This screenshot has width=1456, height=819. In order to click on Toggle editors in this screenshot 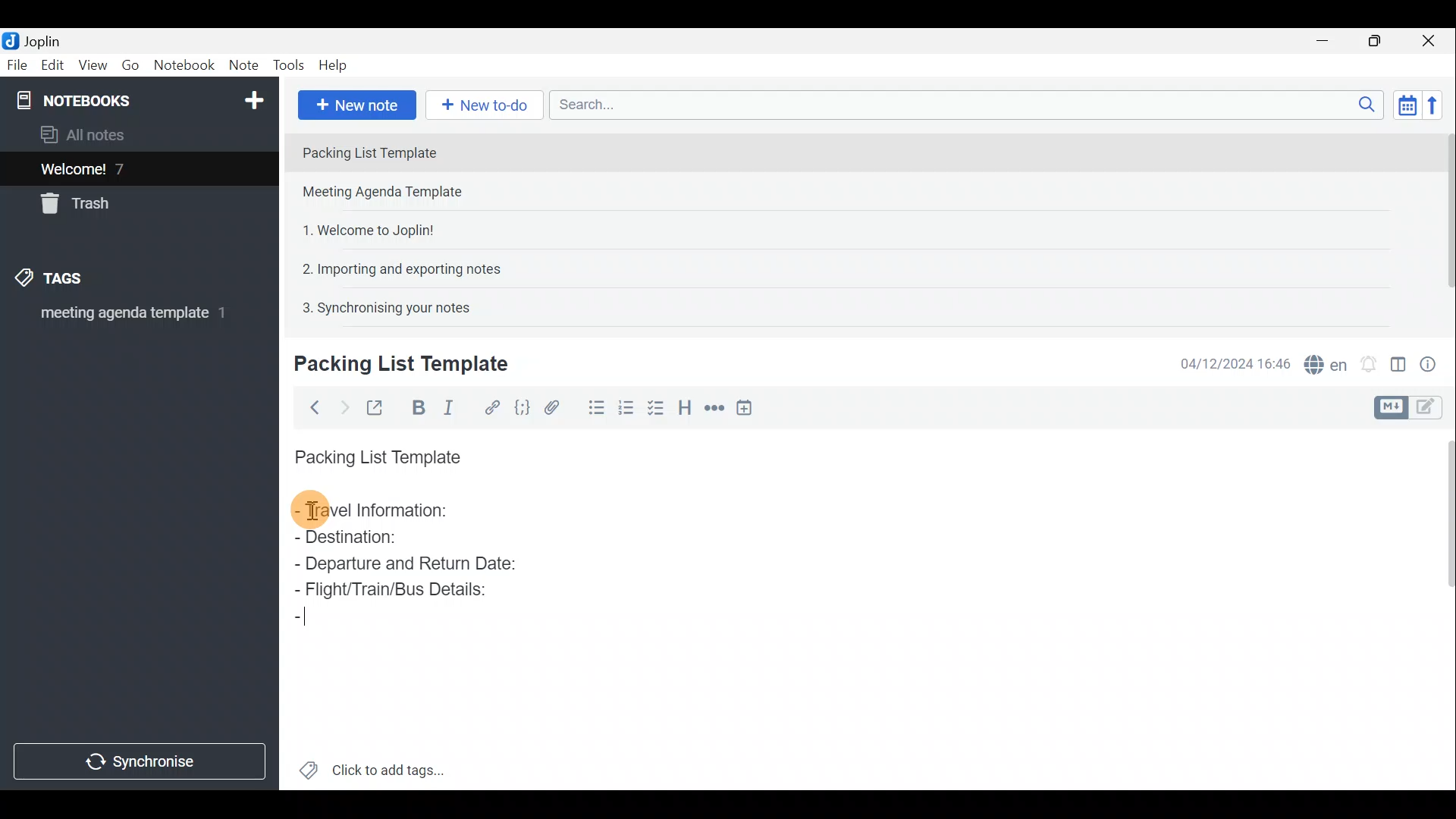, I will do `click(1433, 409)`.